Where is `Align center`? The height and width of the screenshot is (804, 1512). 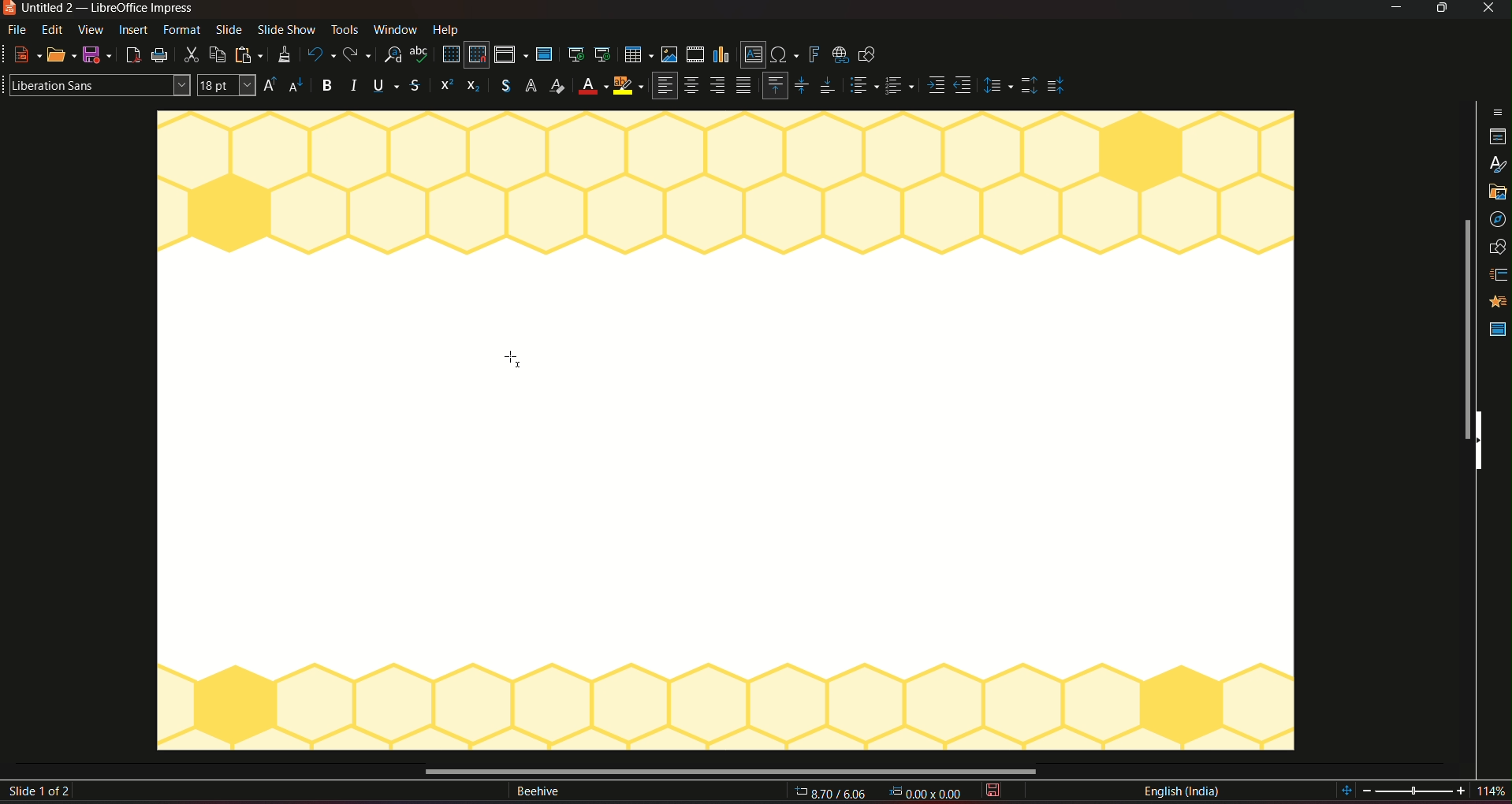 Align center is located at coordinates (802, 84).